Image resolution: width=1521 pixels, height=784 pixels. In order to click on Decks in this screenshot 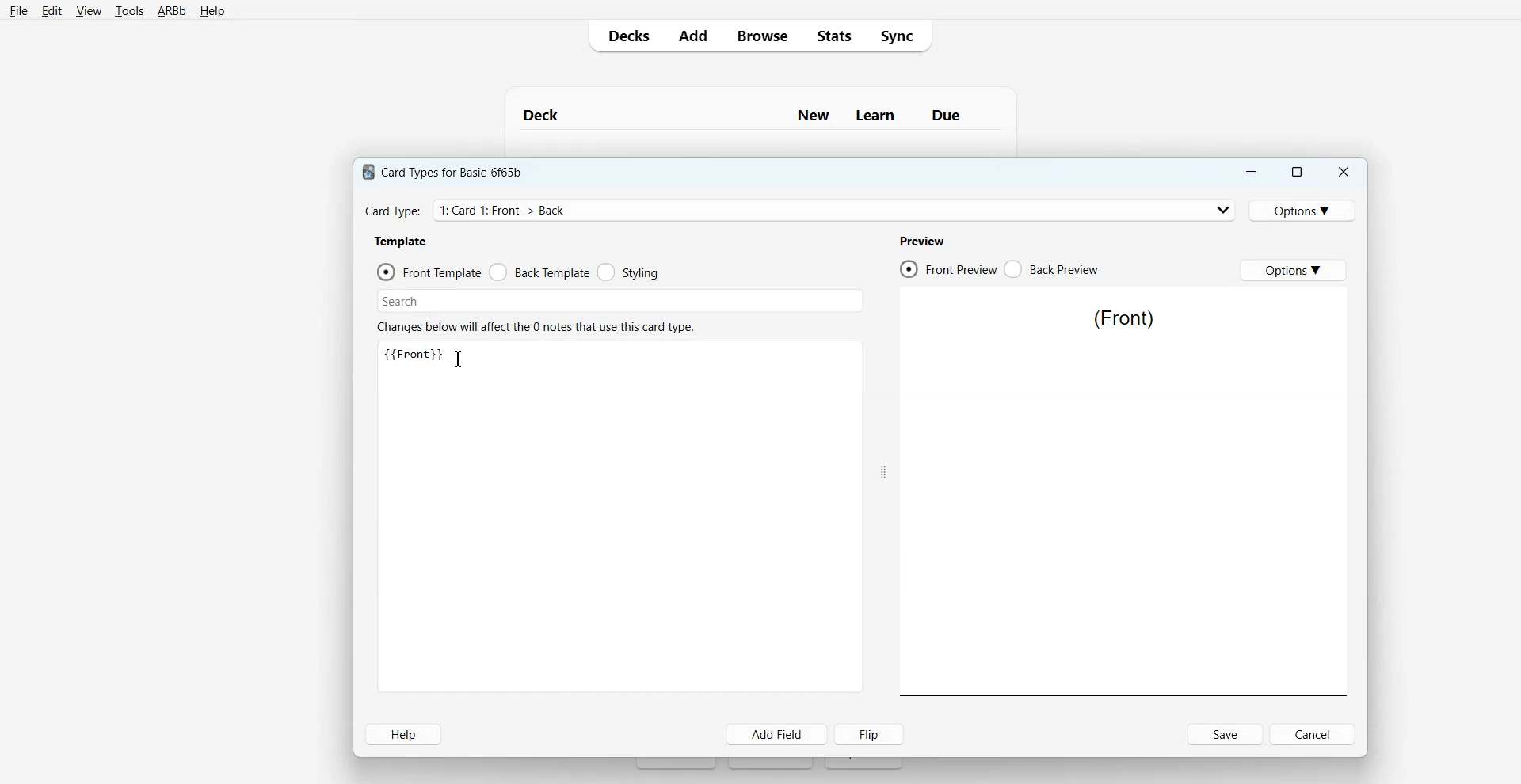, I will do `click(625, 36)`.